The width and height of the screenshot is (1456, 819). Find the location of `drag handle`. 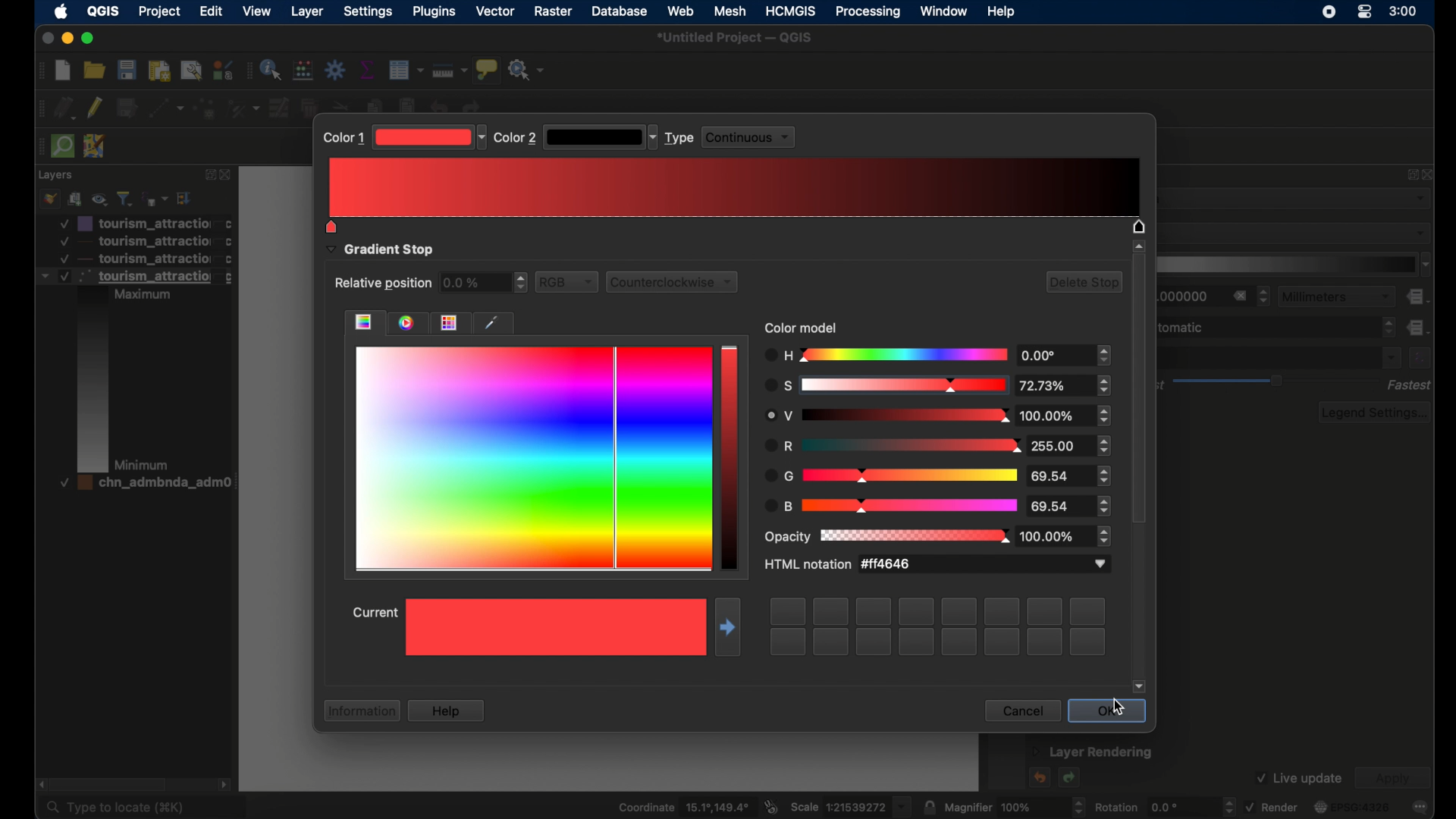

drag handle is located at coordinates (41, 71).